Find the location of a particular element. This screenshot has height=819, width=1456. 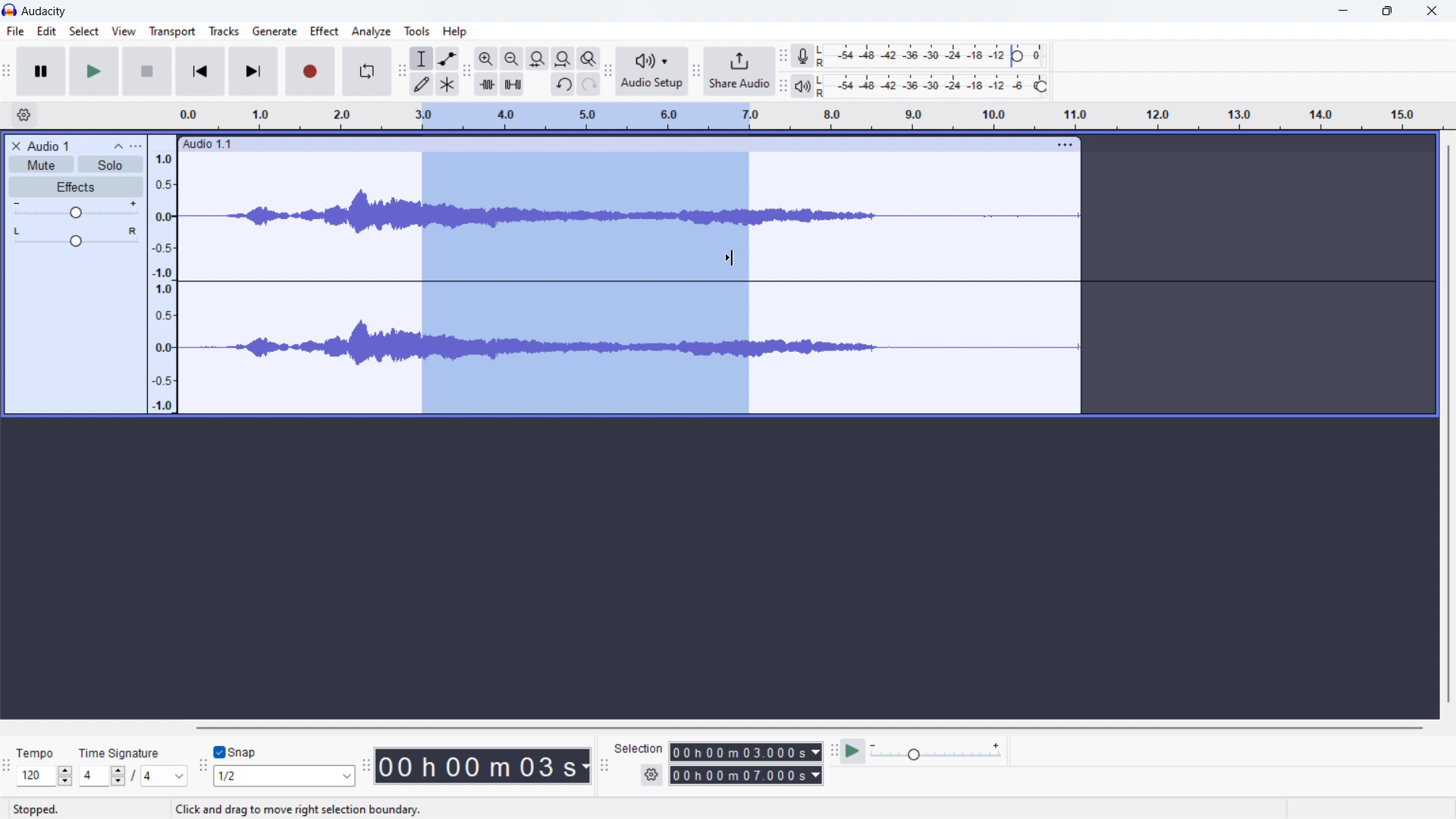

play at speed is located at coordinates (853, 752).